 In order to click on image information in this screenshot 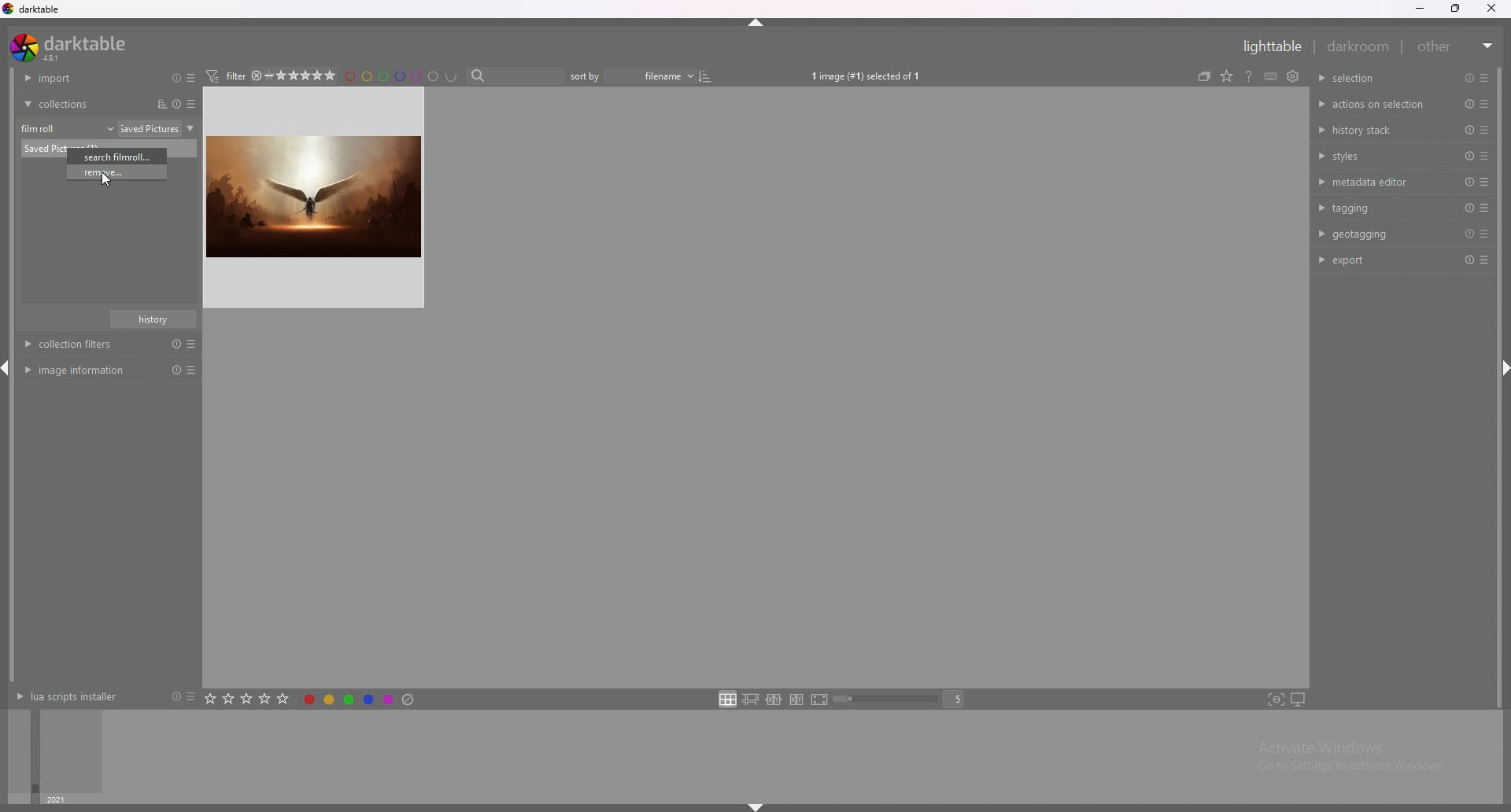, I will do `click(109, 370)`.